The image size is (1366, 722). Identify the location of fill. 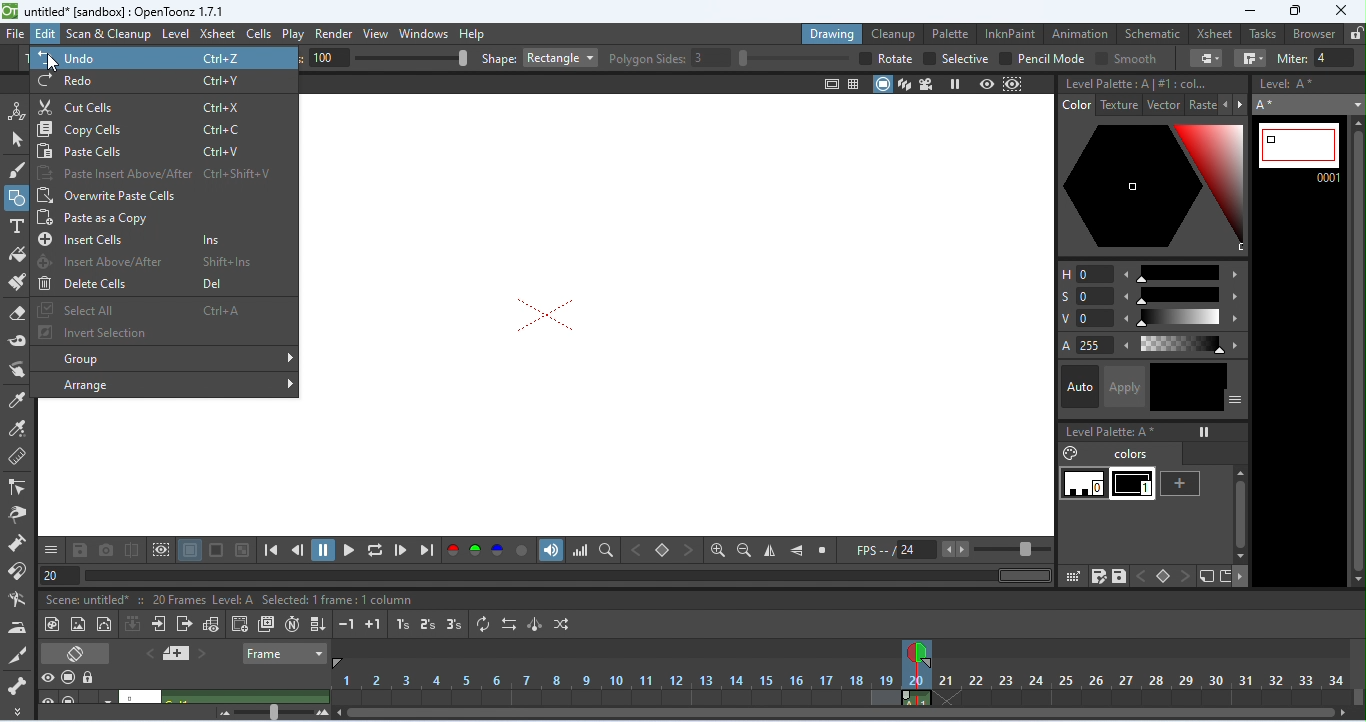
(16, 253).